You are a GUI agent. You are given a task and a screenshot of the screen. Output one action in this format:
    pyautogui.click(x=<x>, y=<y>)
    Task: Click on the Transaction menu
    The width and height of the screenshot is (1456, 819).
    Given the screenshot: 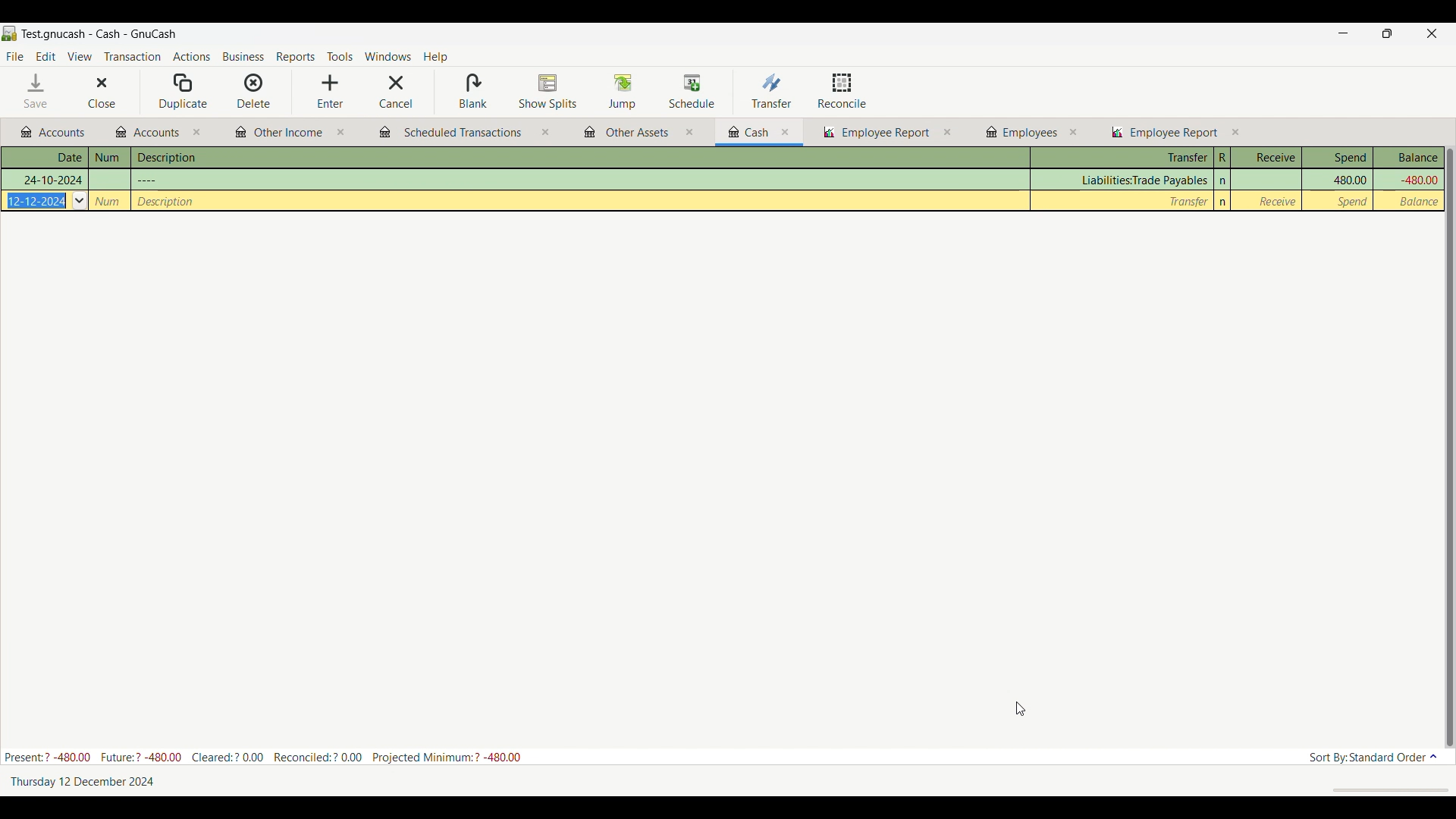 What is the action you would take?
    pyautogui.click(x=132, y=57)
    